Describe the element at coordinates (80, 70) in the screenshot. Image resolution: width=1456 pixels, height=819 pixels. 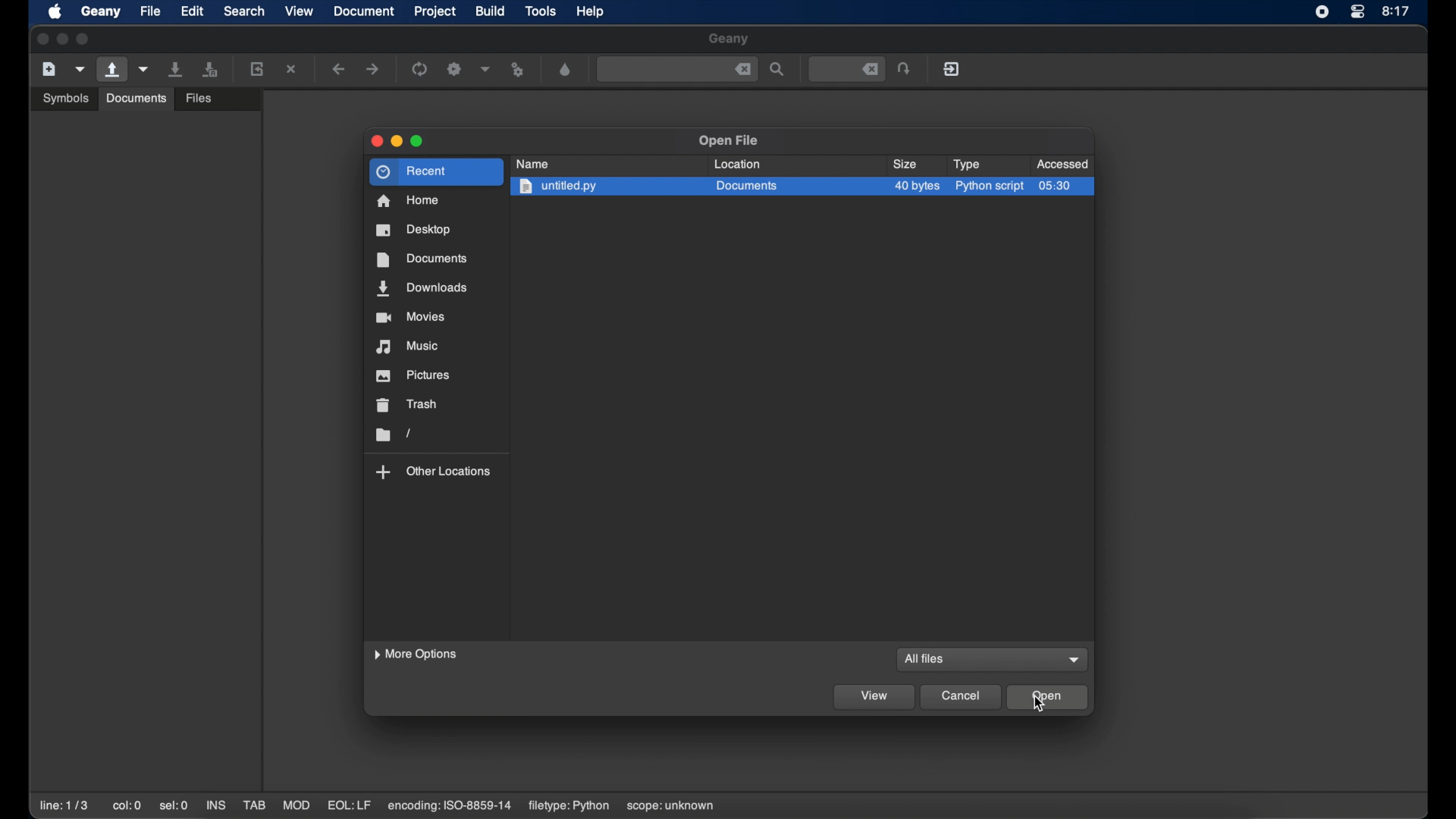
I see `create a new file from template` at that location.